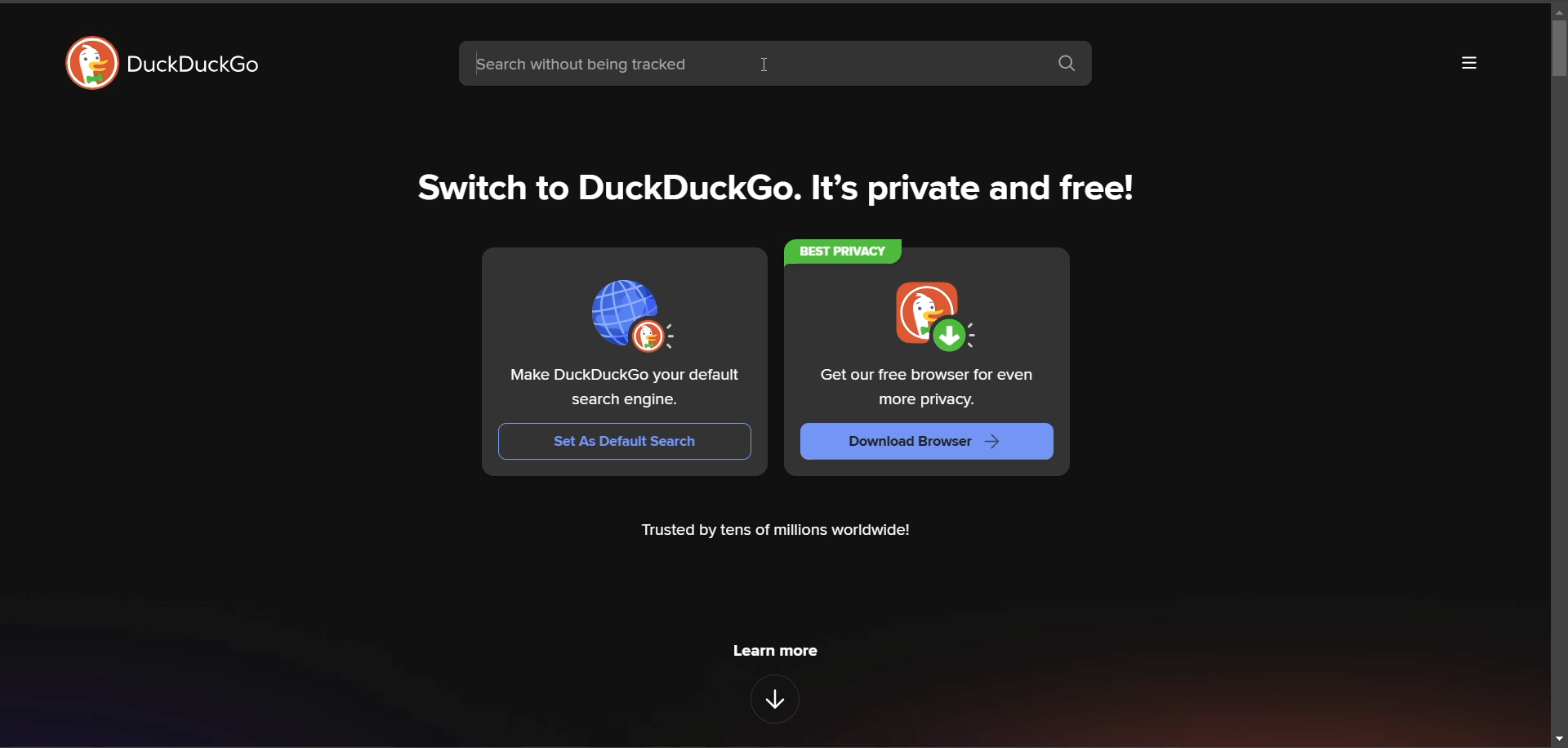 The height and width of the screenshot is (748, 1568). Describe the element at coordinates (472, 64) in the screenshot. I see `text cursor` at that location.